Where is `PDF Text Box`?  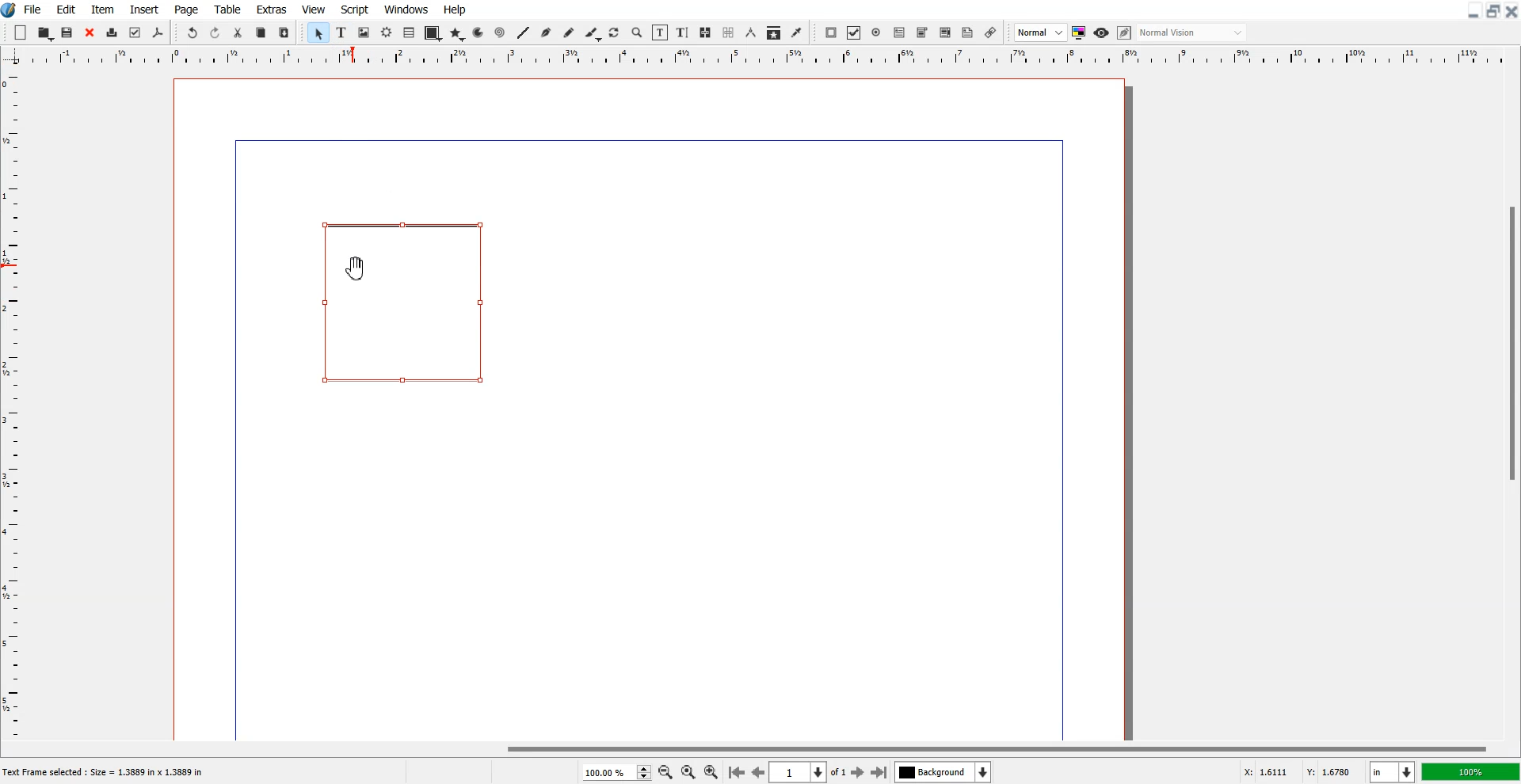
PDF Text Box is located at coordinates (899, 32).